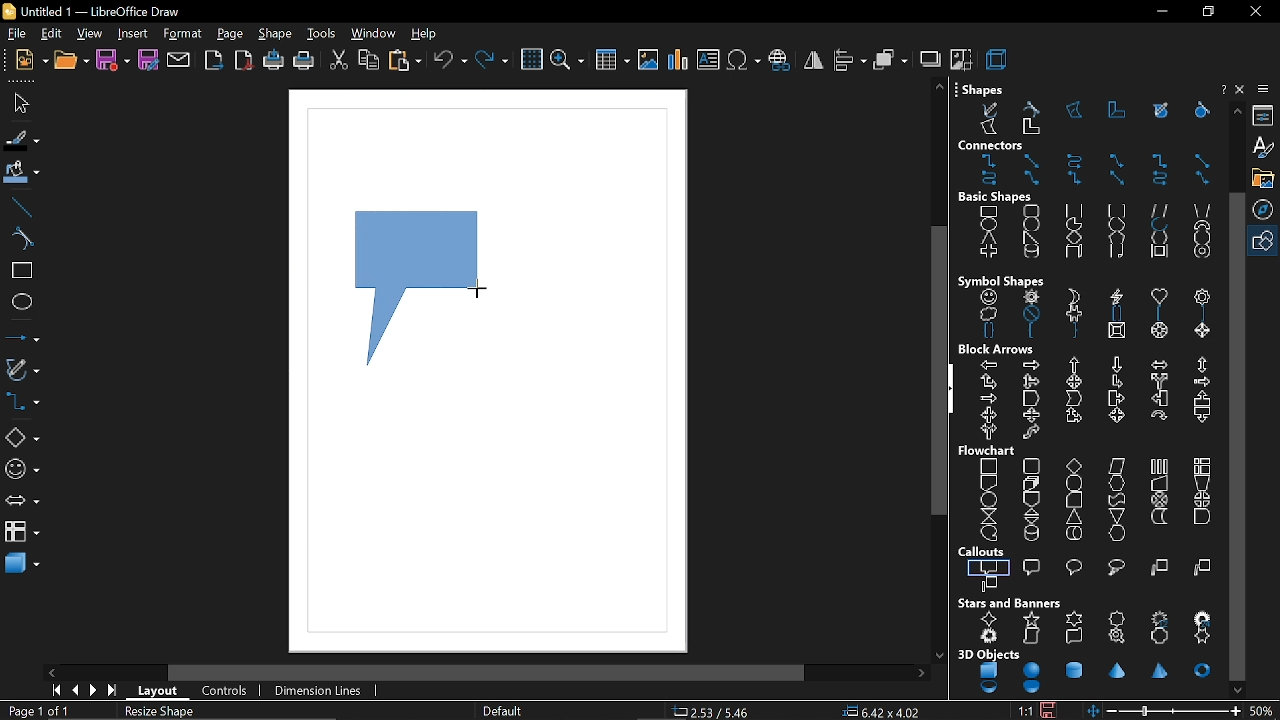 The width and height of the screenshot is (1280, 720). What do you see at coordinates (72, 692) in the screenshot?
I see `previous page` at bounding box center [72, 692].